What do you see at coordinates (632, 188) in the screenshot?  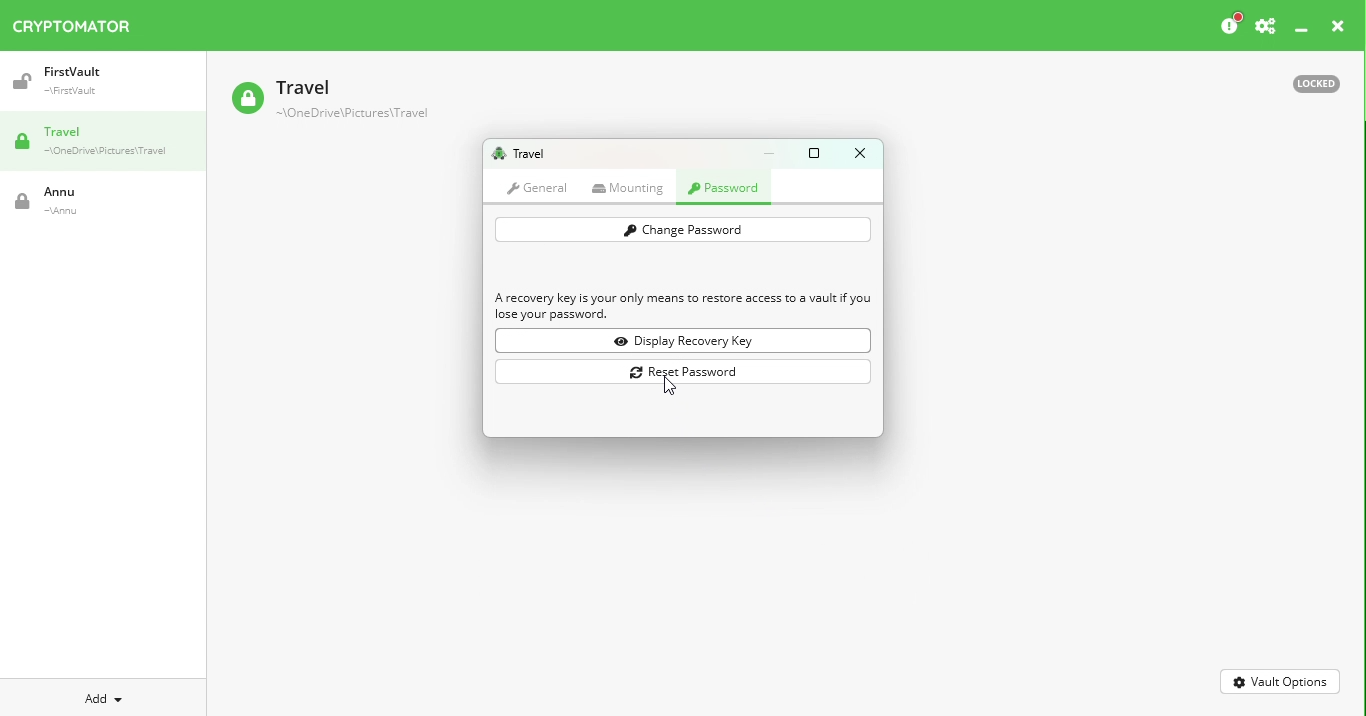 I see `Mounting` at bounding box center [632, 188].